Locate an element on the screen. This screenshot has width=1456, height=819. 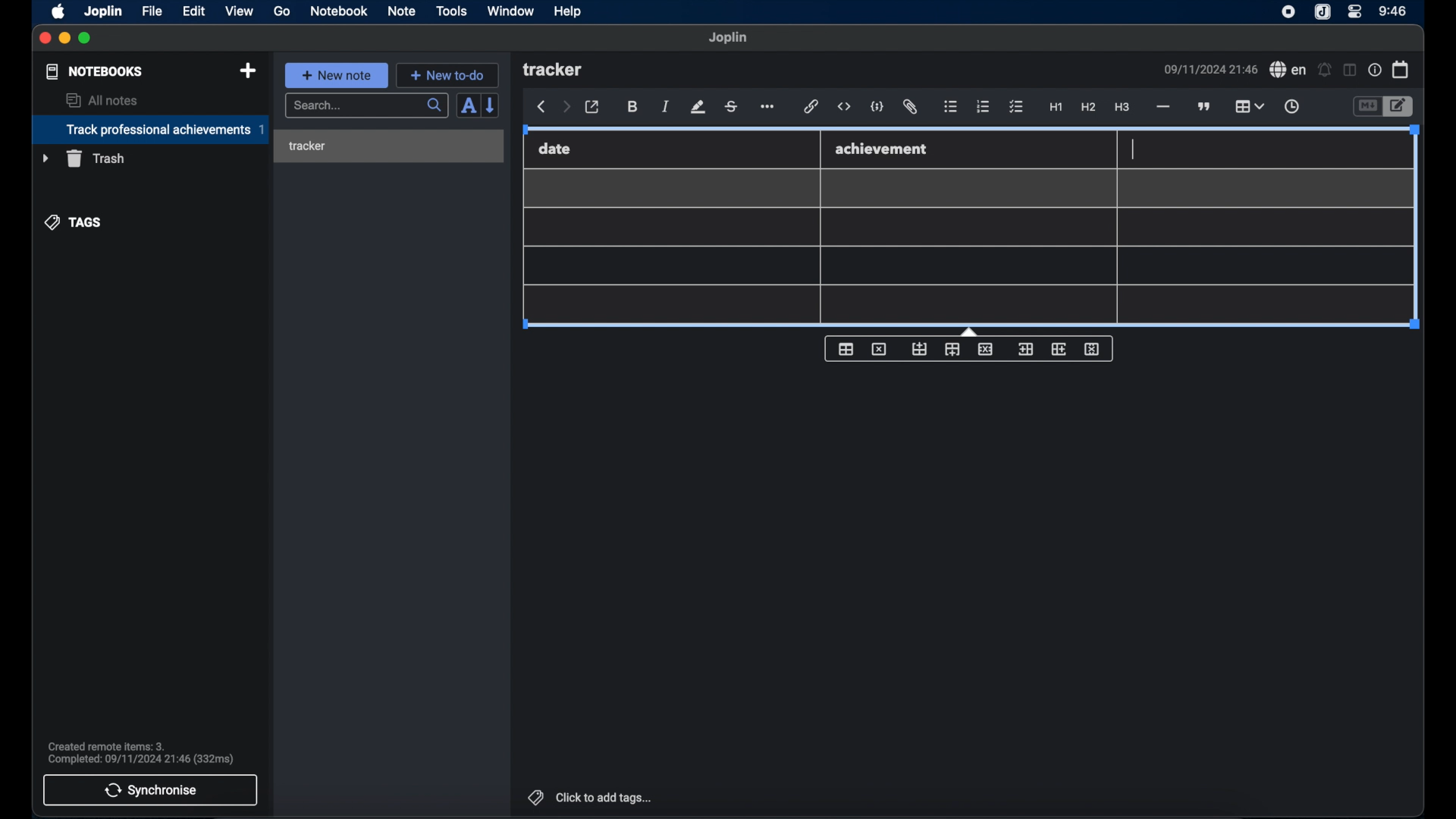
insert column after is located at coordinates (1059, 349).